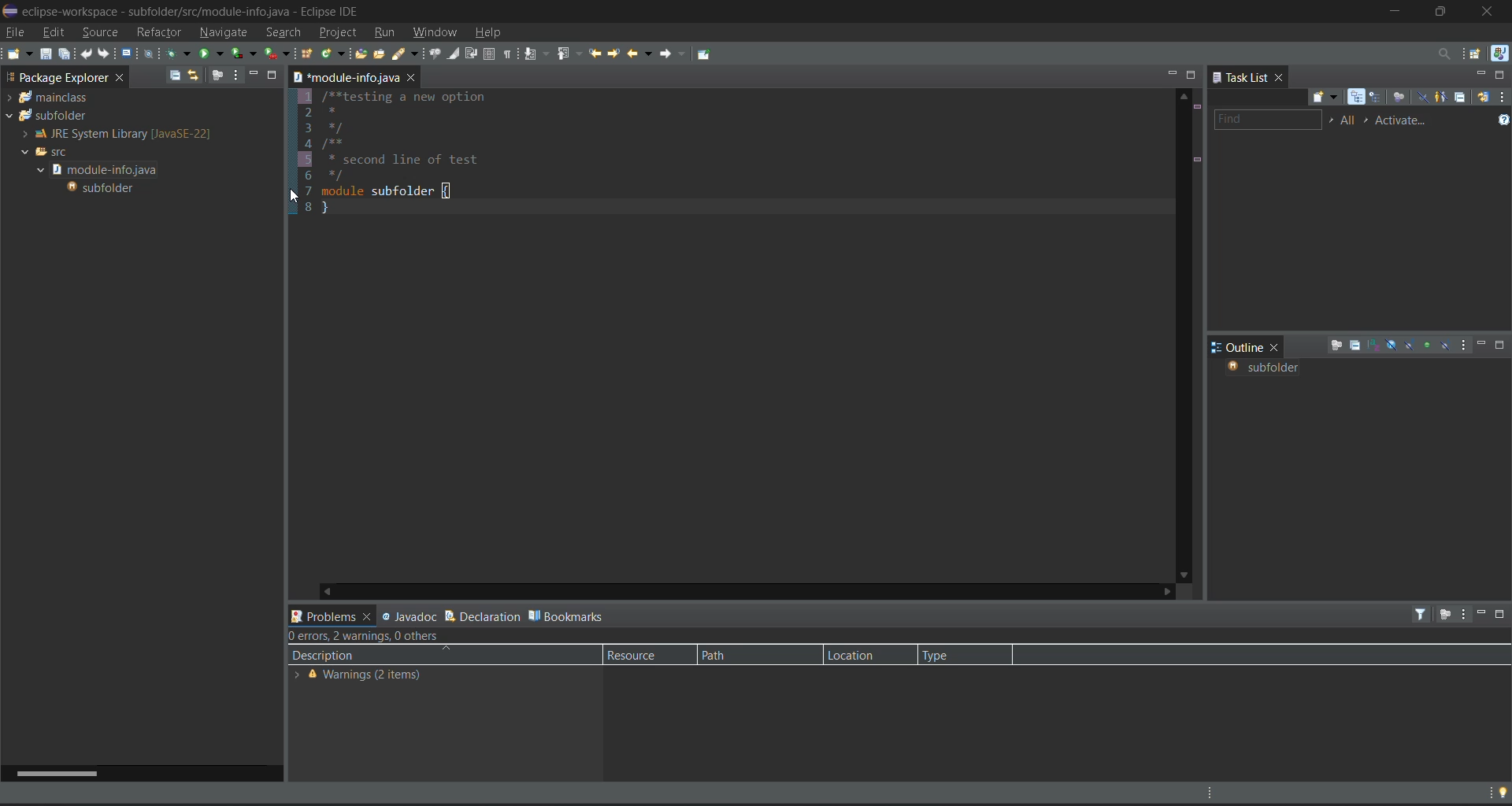  I want to click on save, so click(46, 54).